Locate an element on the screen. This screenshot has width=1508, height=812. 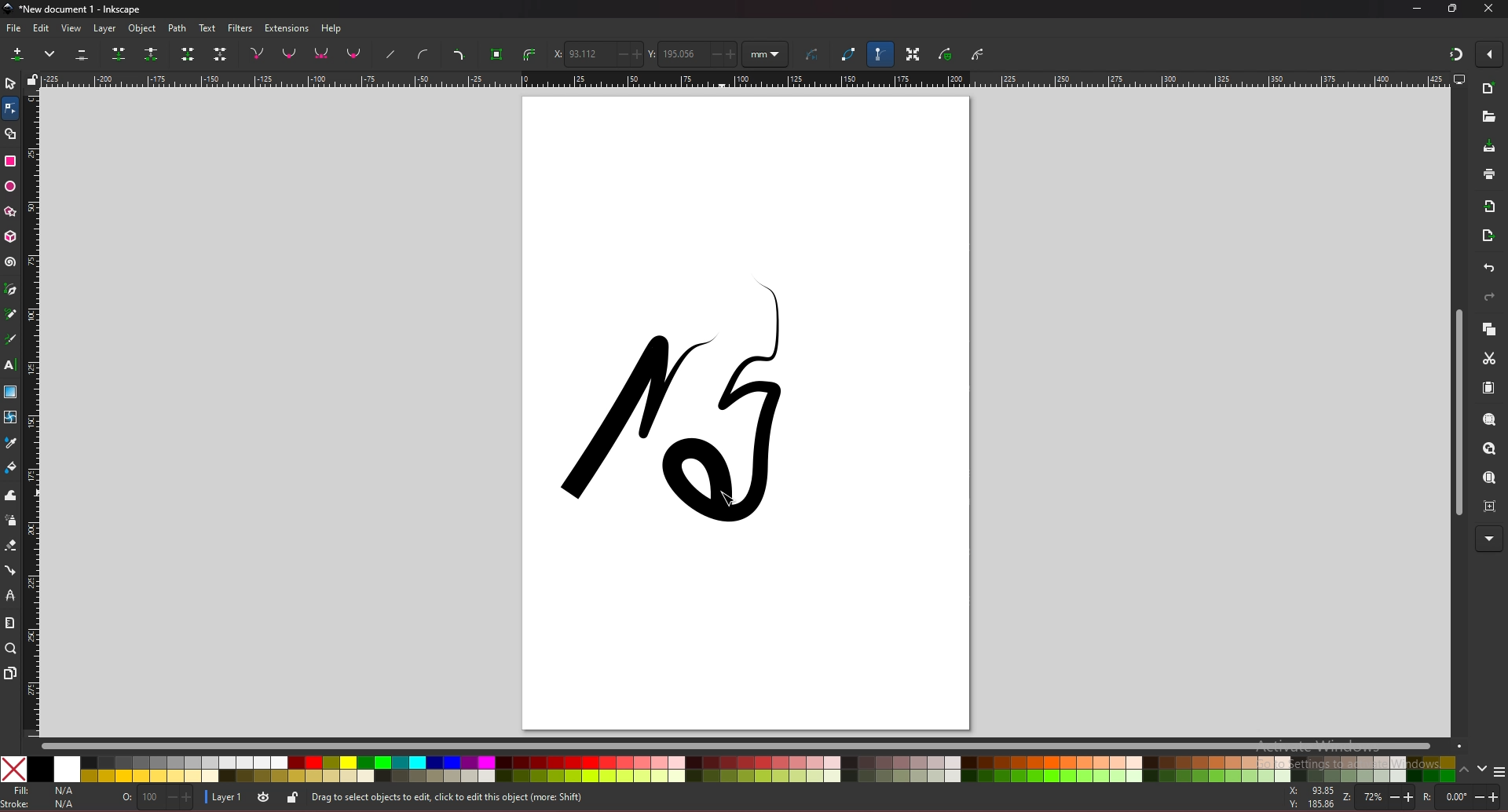
curve handle is located at coordinates (424, 53).